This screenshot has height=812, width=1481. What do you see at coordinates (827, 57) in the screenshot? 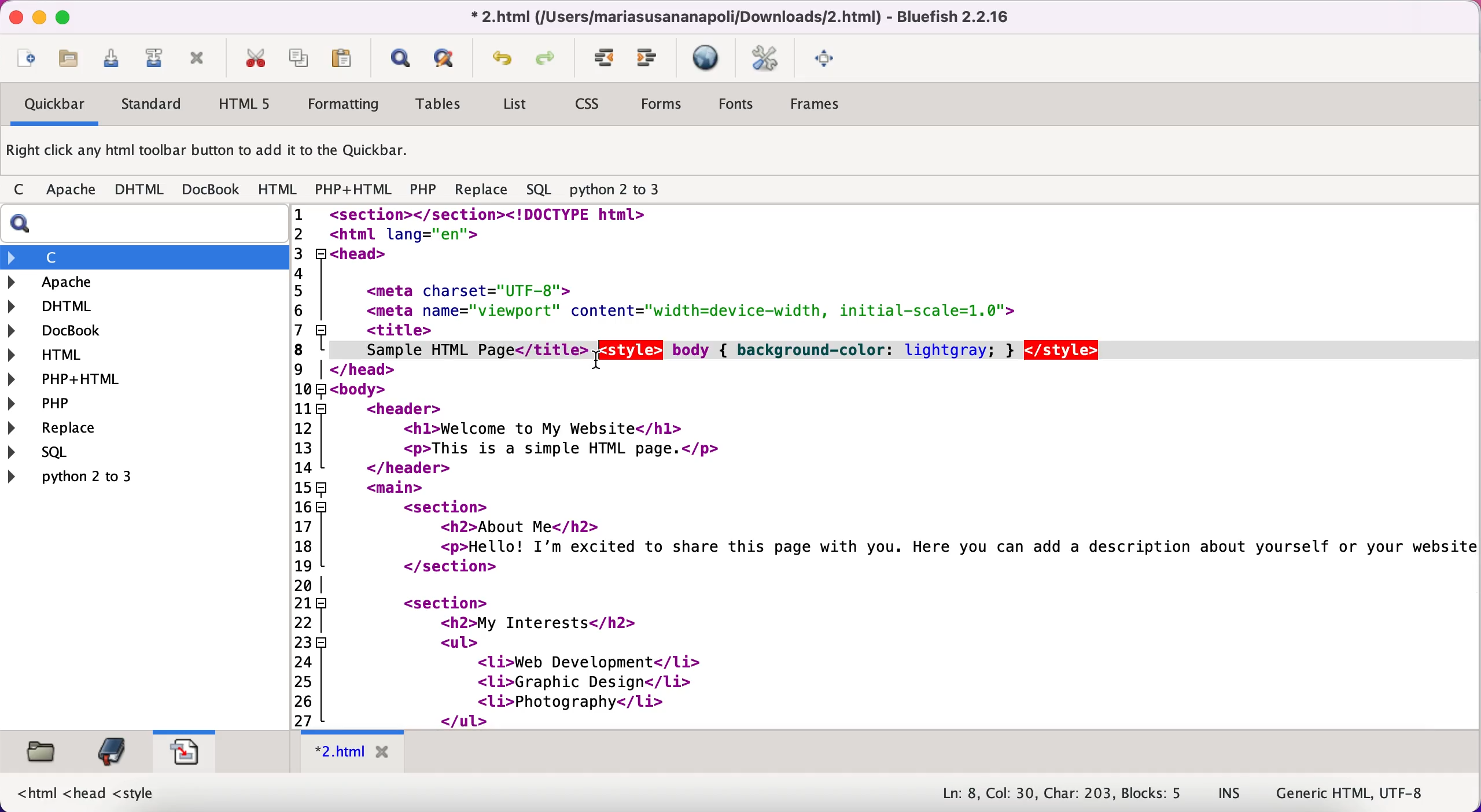
I see `full screen` at bounding box center [827, 57].